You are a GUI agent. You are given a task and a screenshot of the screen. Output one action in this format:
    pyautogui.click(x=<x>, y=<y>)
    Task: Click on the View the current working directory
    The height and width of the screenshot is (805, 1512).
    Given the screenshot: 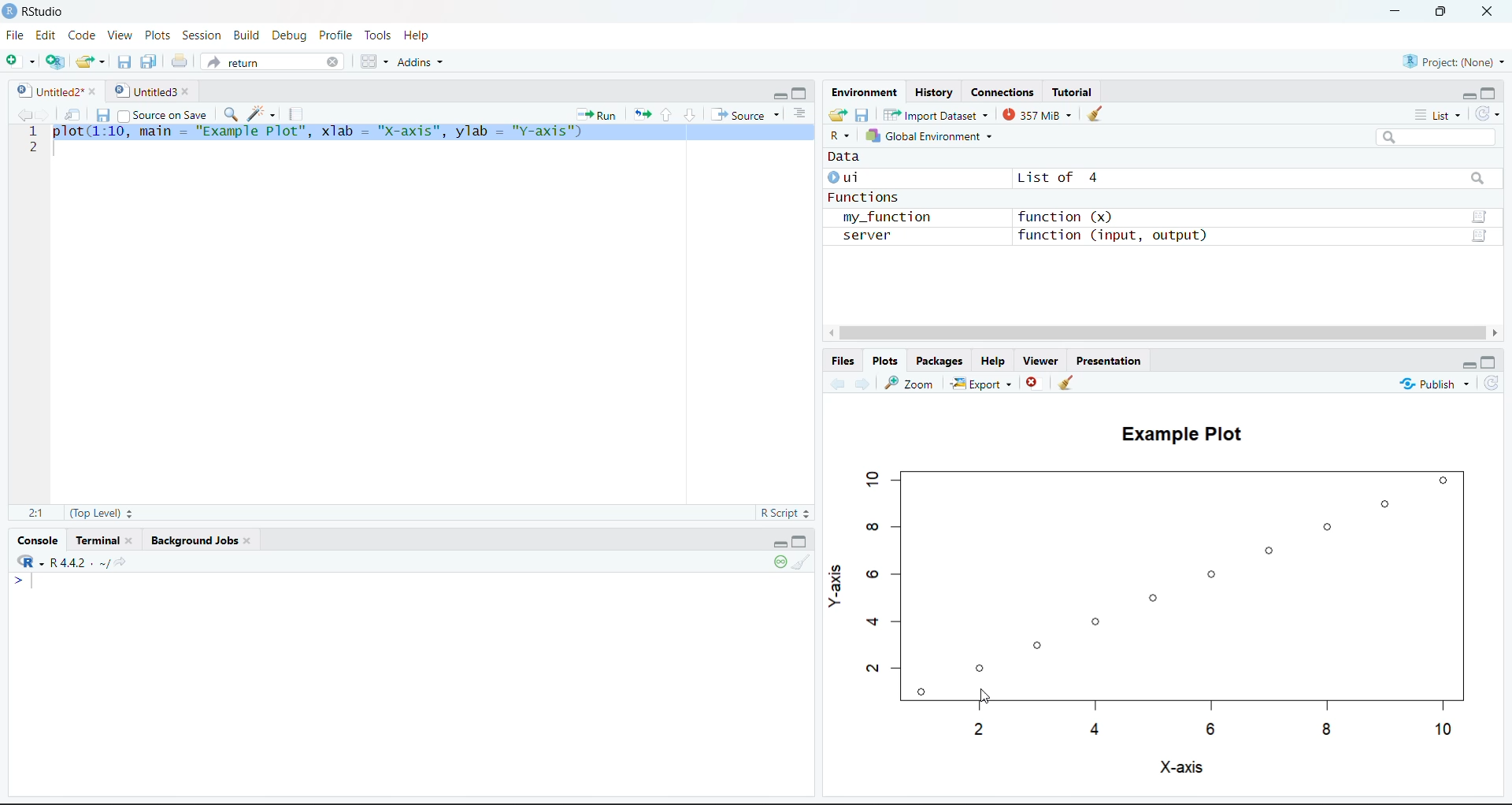 What is the action you would take?
    pyautogui.click(x=123, y=562)
    